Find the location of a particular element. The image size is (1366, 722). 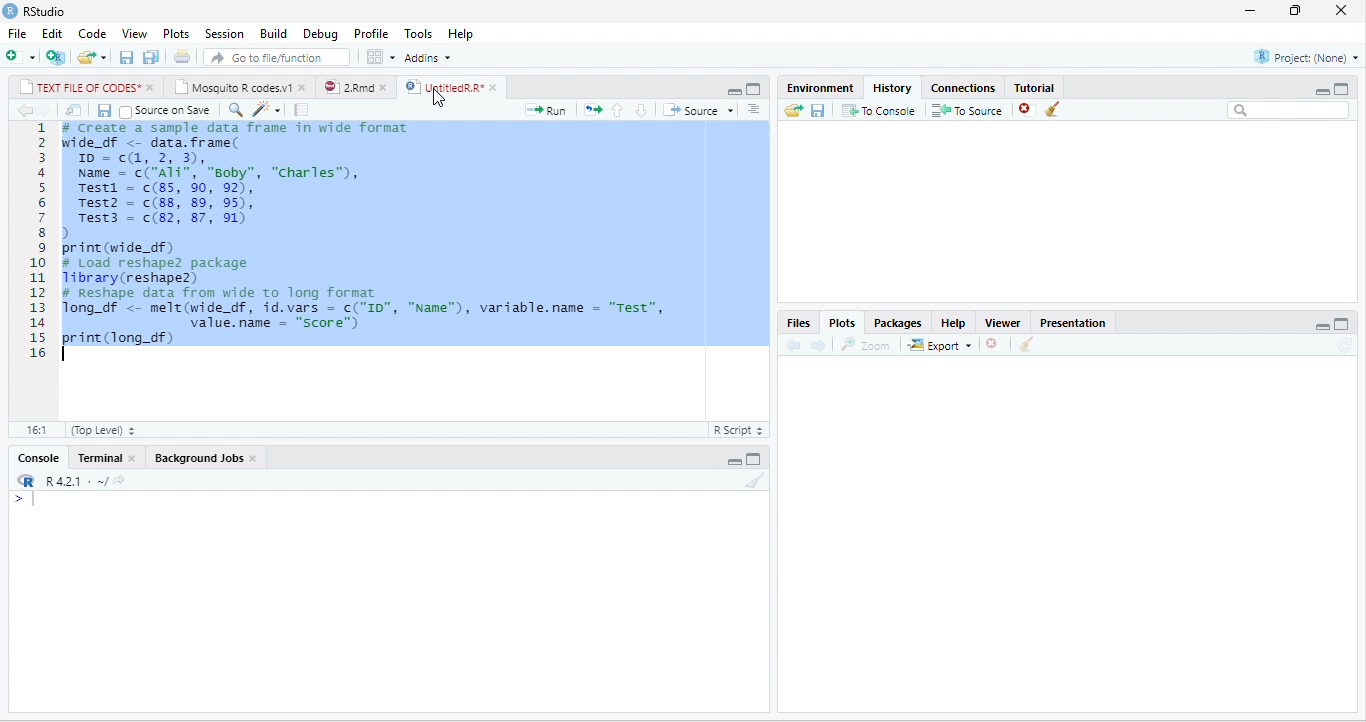

search file is located at coordinates (276, 57).